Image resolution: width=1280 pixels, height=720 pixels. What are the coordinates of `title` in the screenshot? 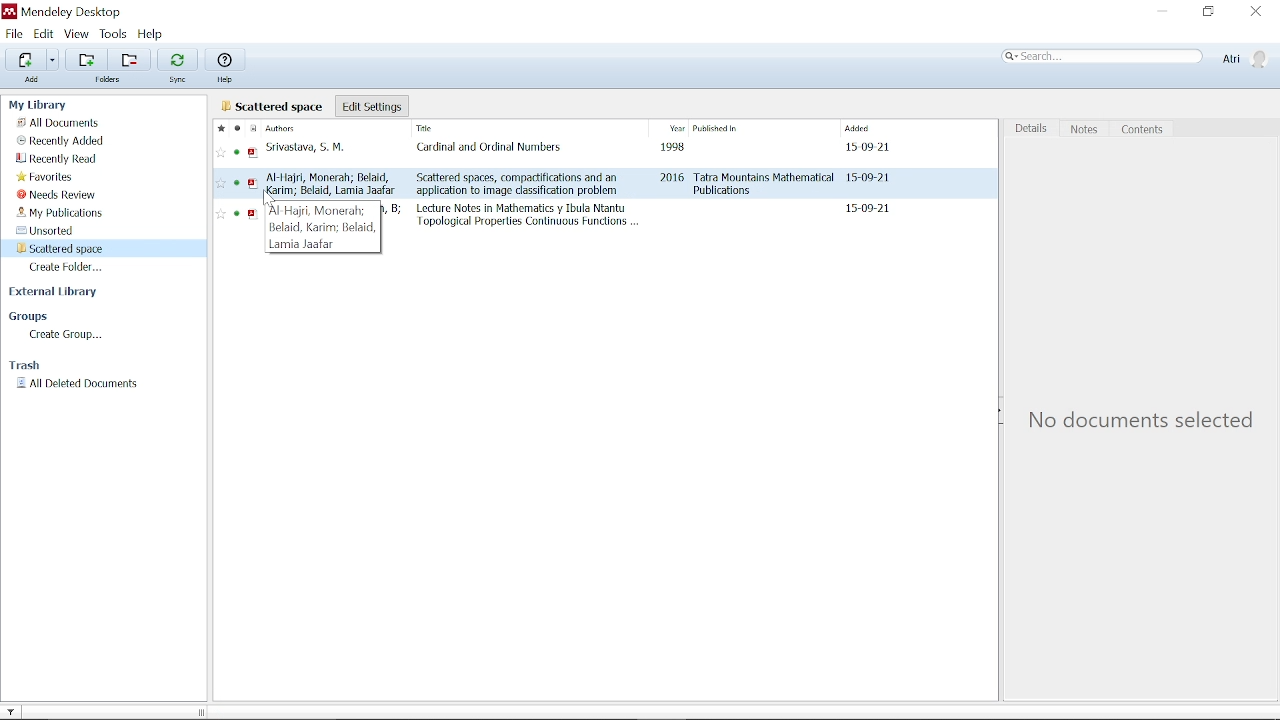 It's located at (528, 216).